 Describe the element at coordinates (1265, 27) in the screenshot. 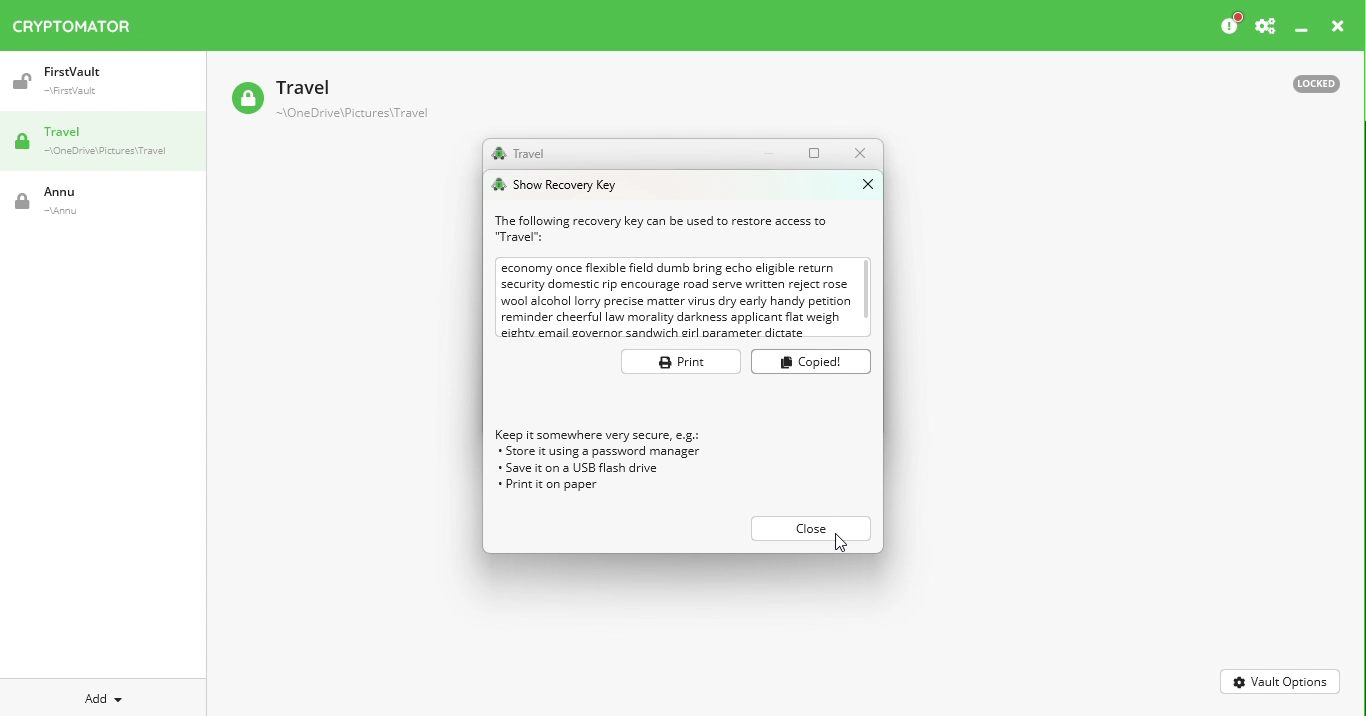

I see `Preferences` at that location.